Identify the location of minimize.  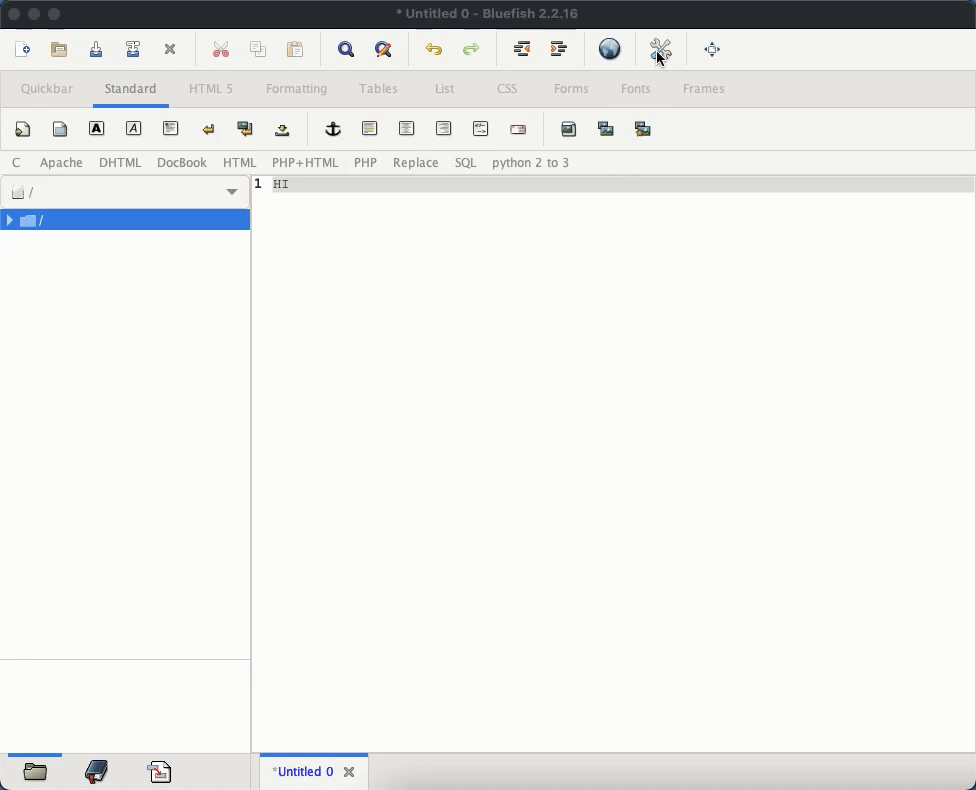
(35, 14).